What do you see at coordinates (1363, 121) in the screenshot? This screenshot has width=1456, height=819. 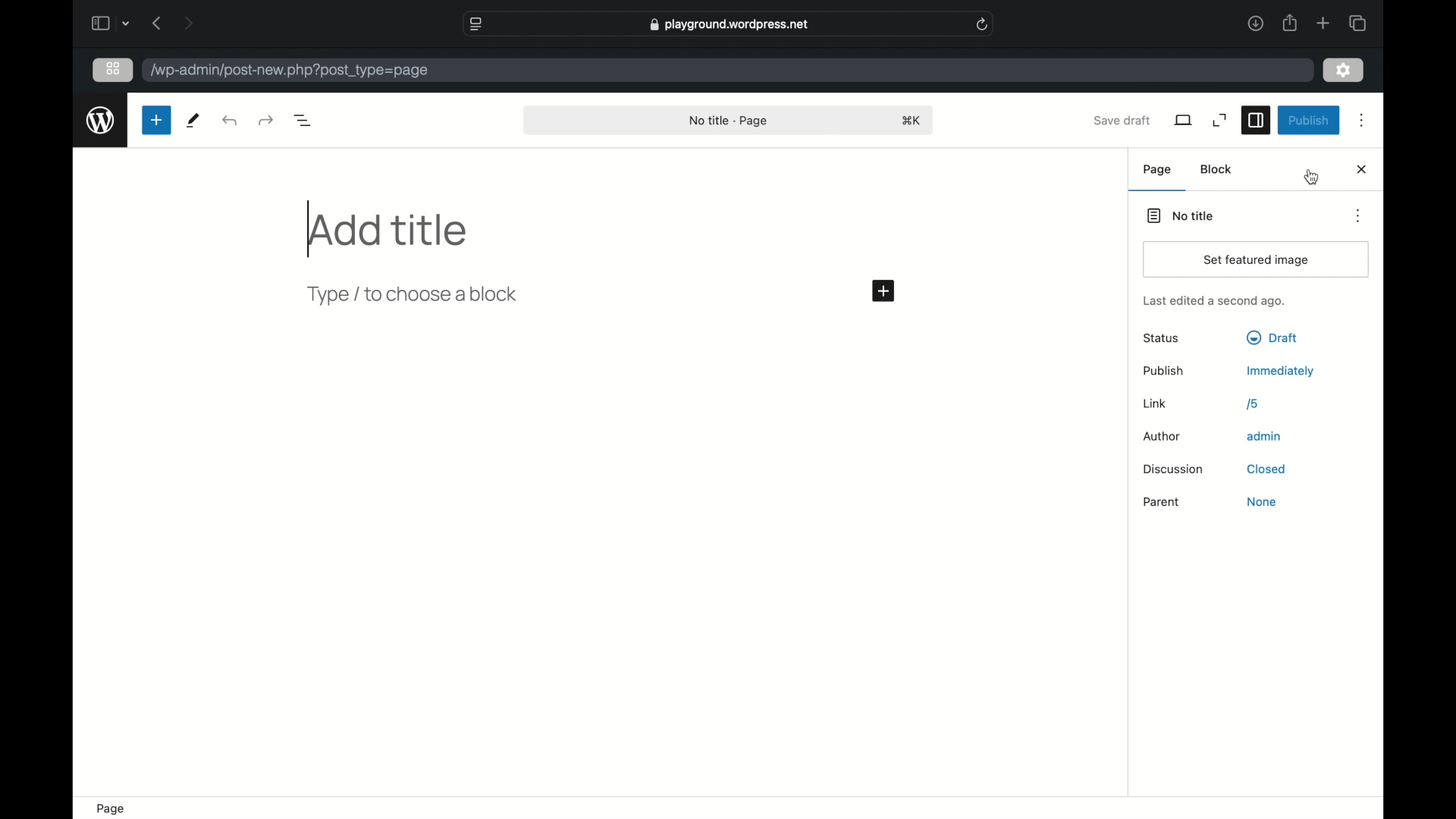 I see `more options` at bounding box center [1363, 121].